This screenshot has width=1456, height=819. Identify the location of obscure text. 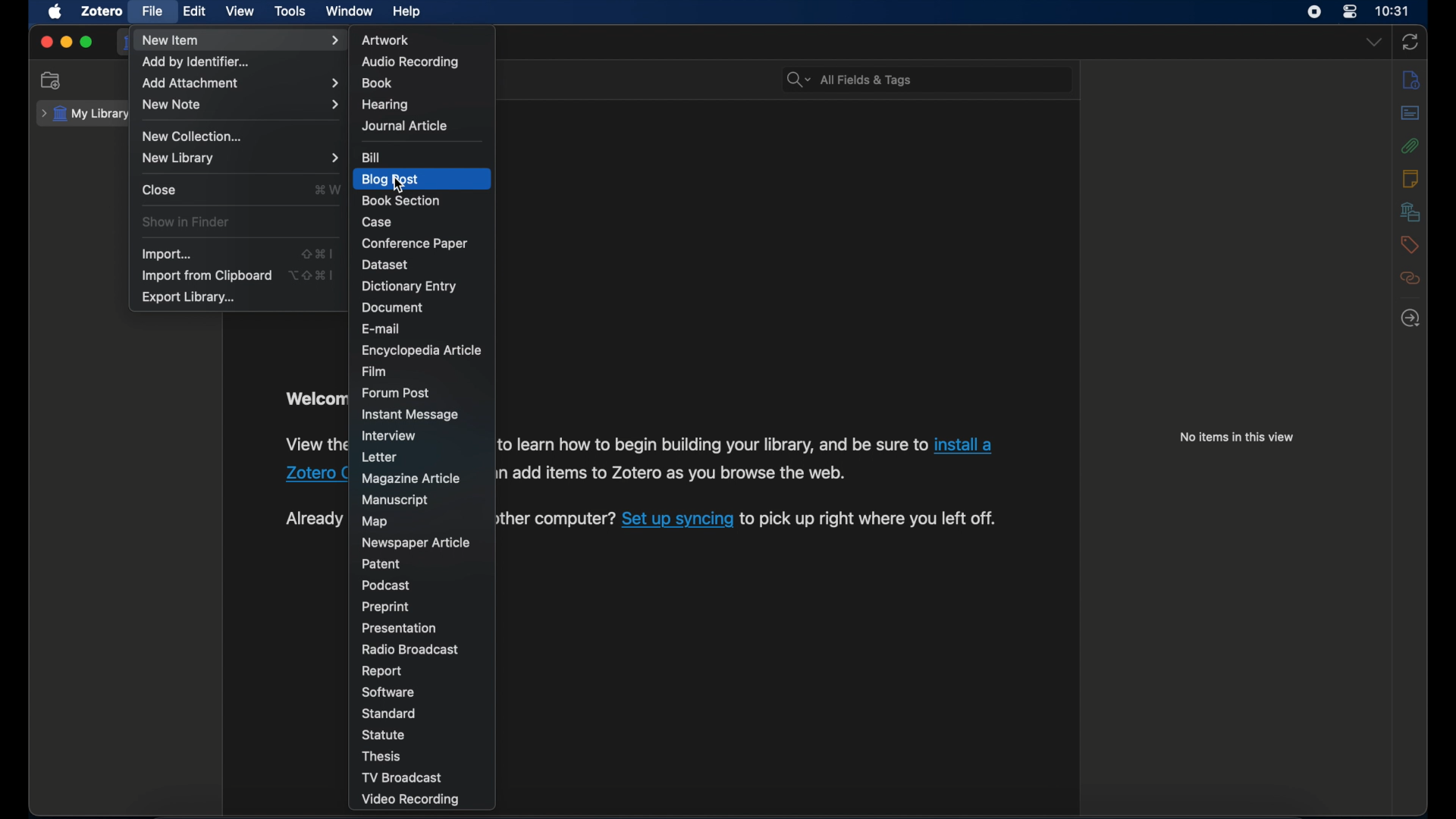
(314, 519).